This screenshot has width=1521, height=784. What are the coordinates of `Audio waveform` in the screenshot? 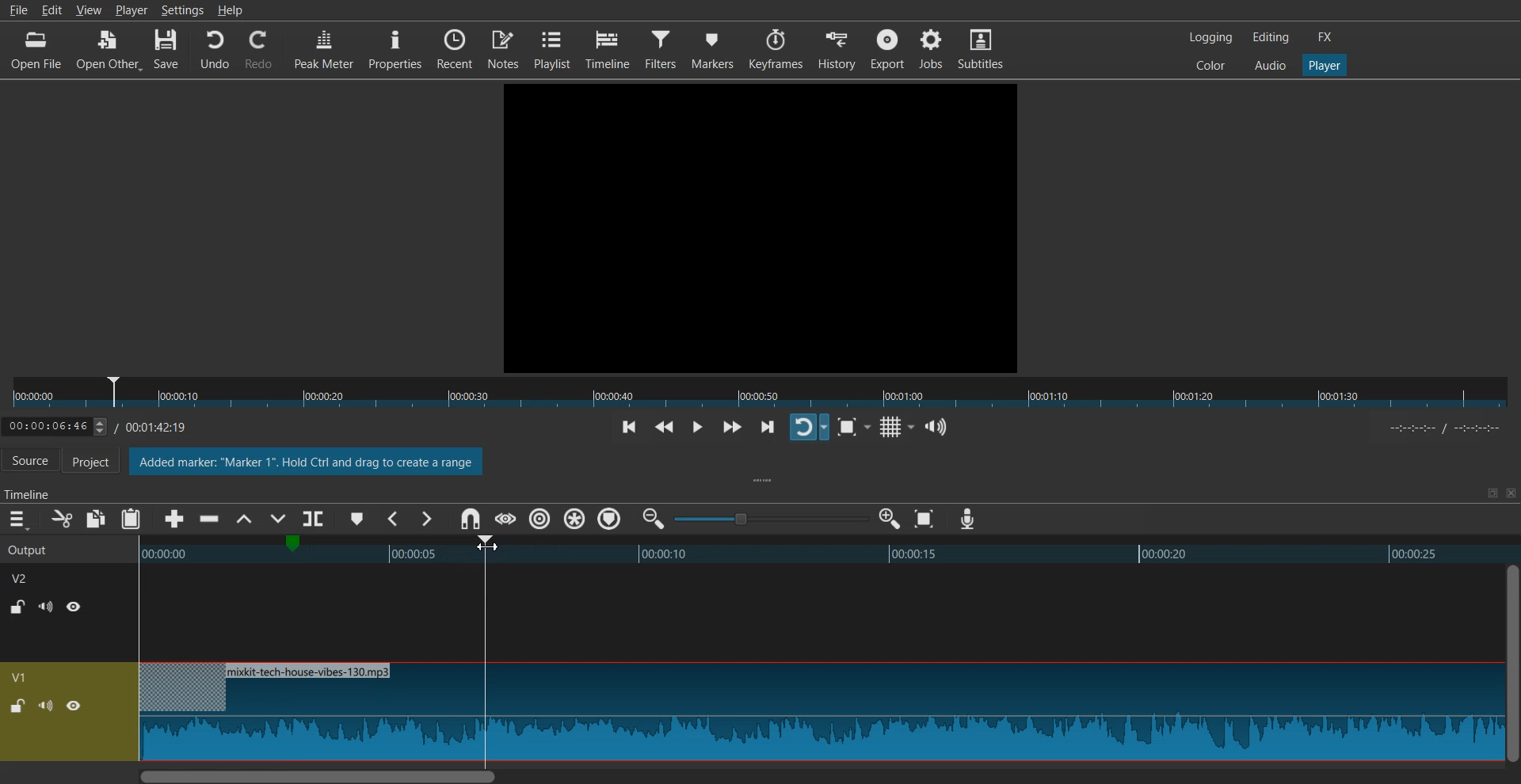 It's located at (819, 713).